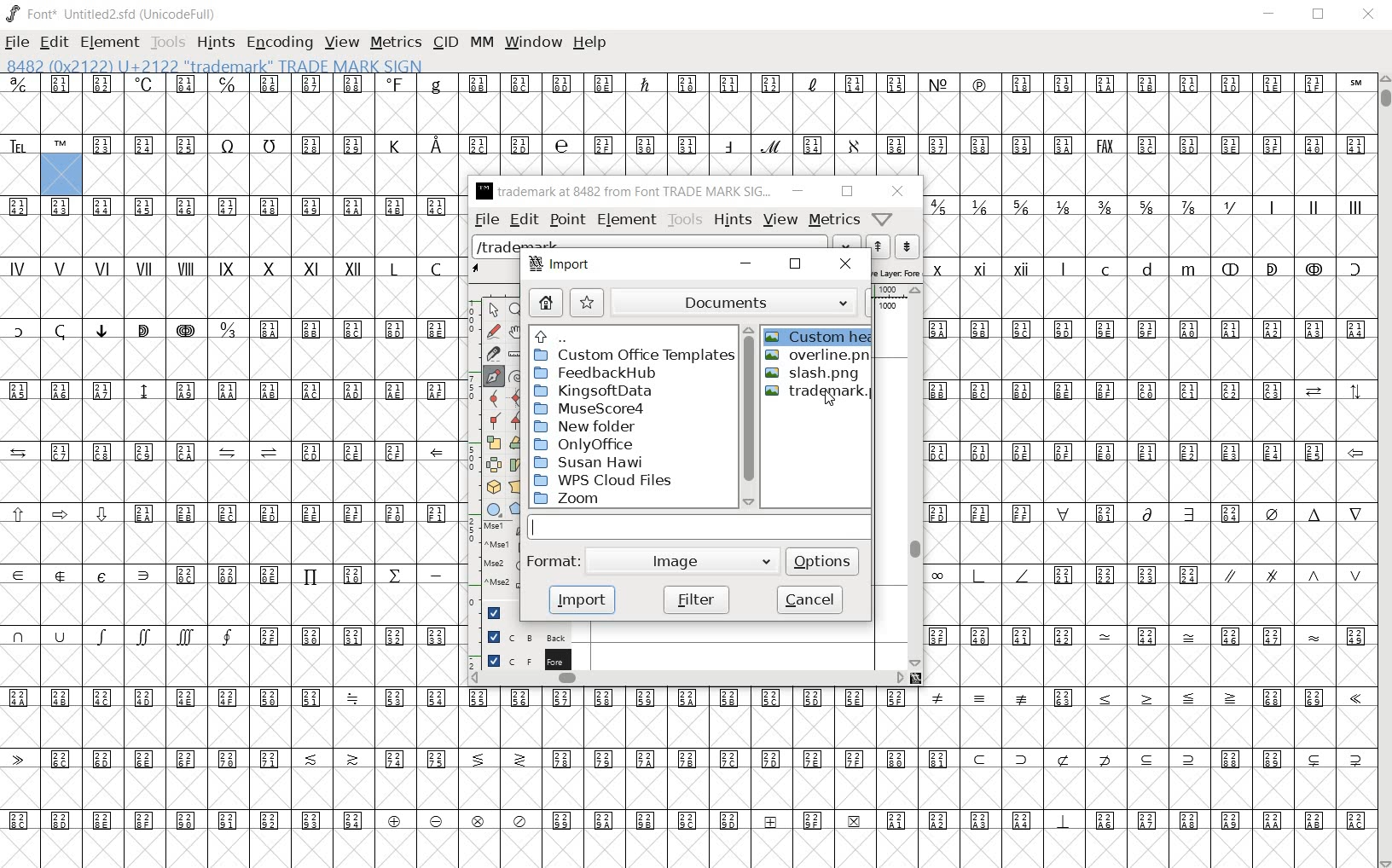  What do you see at coordinates (1314, 225) in the screenshot?
I see `roman characters` at bounding box center [1314, 225].